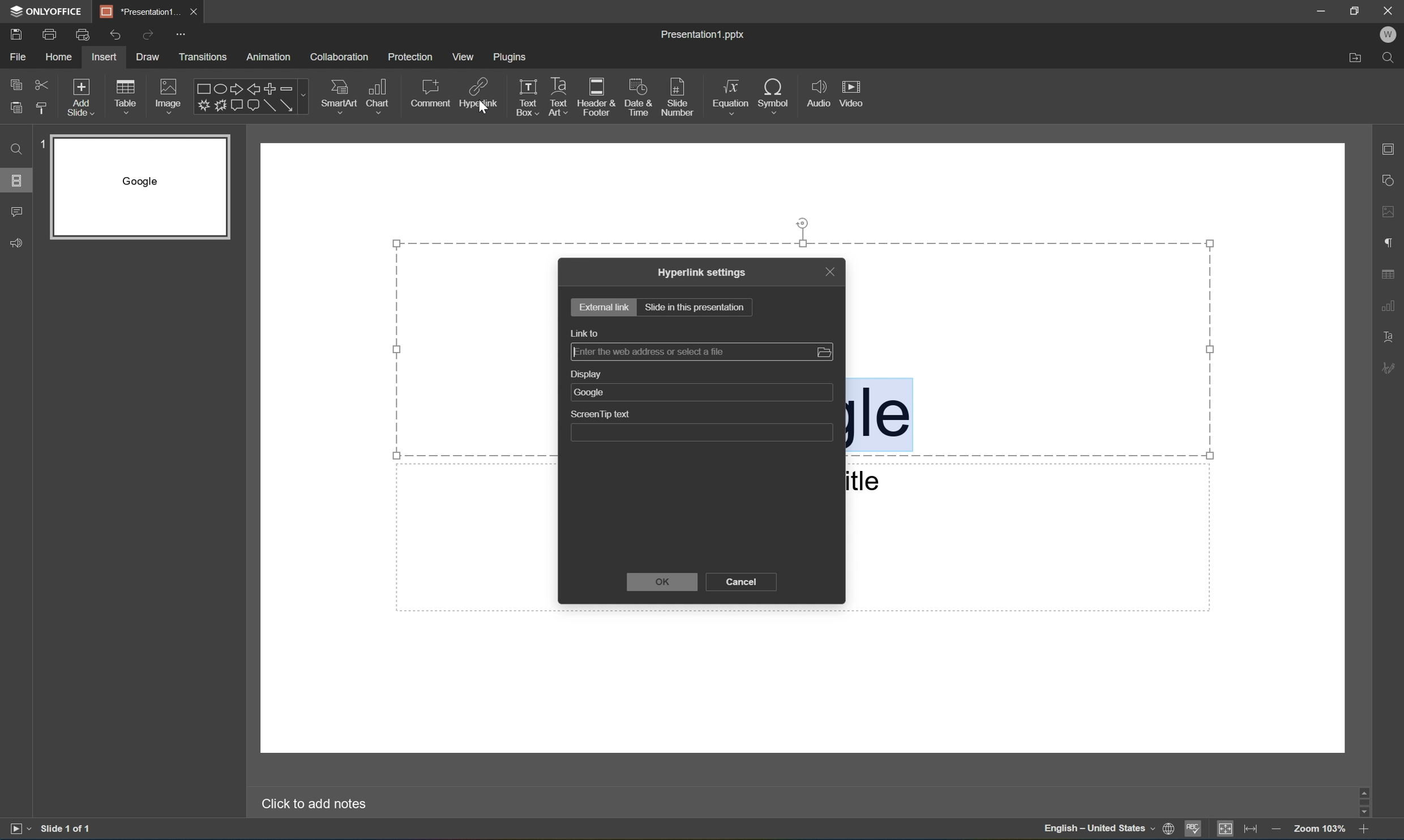 Image resolution: width=1404 pixels, height=840 pixels. What do you see at coordinates (127, 98) in the screenshot?
I see `Table` at bounding box center [127, 98].